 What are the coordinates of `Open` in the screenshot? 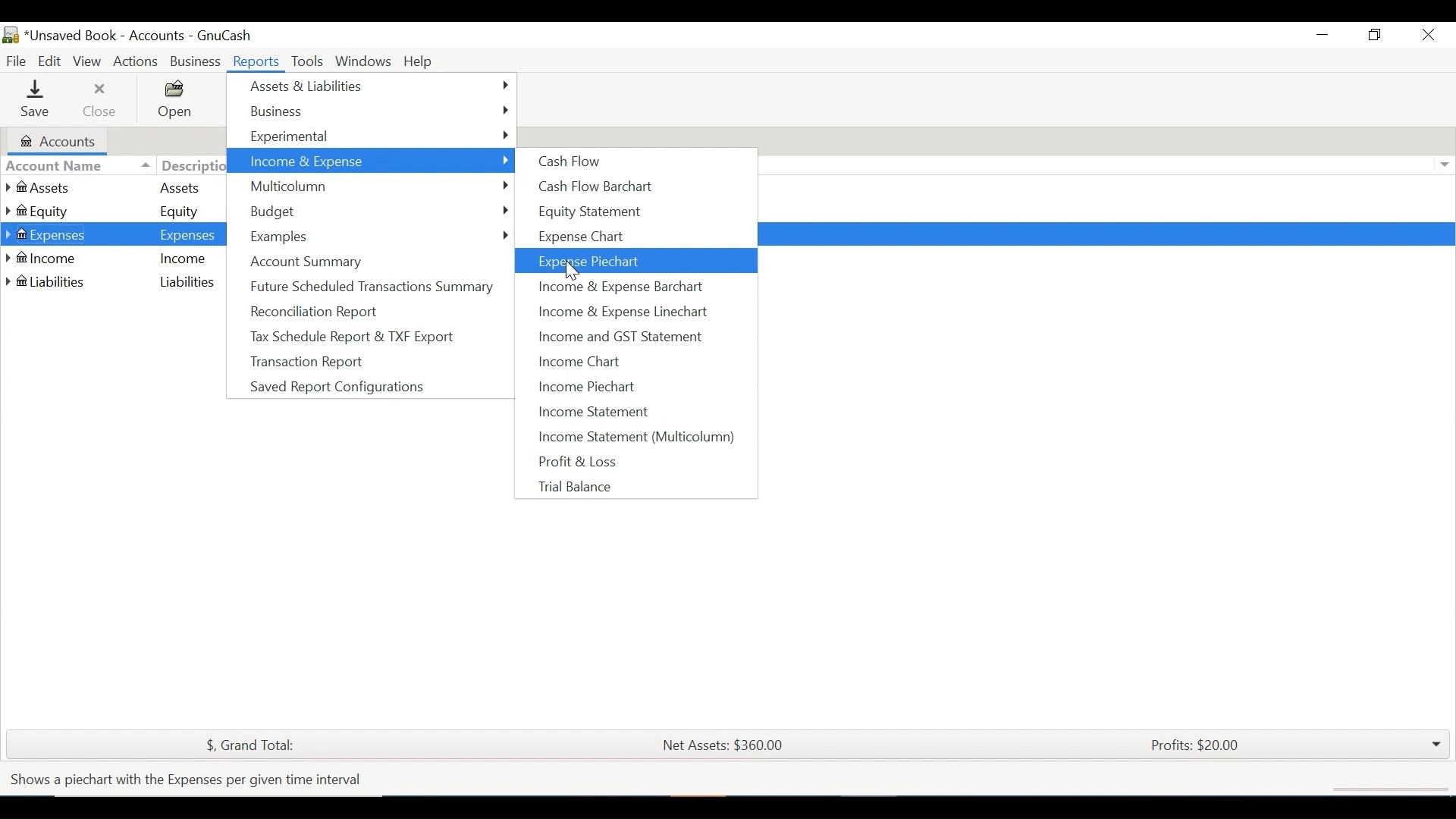 It's located at (174, 99).